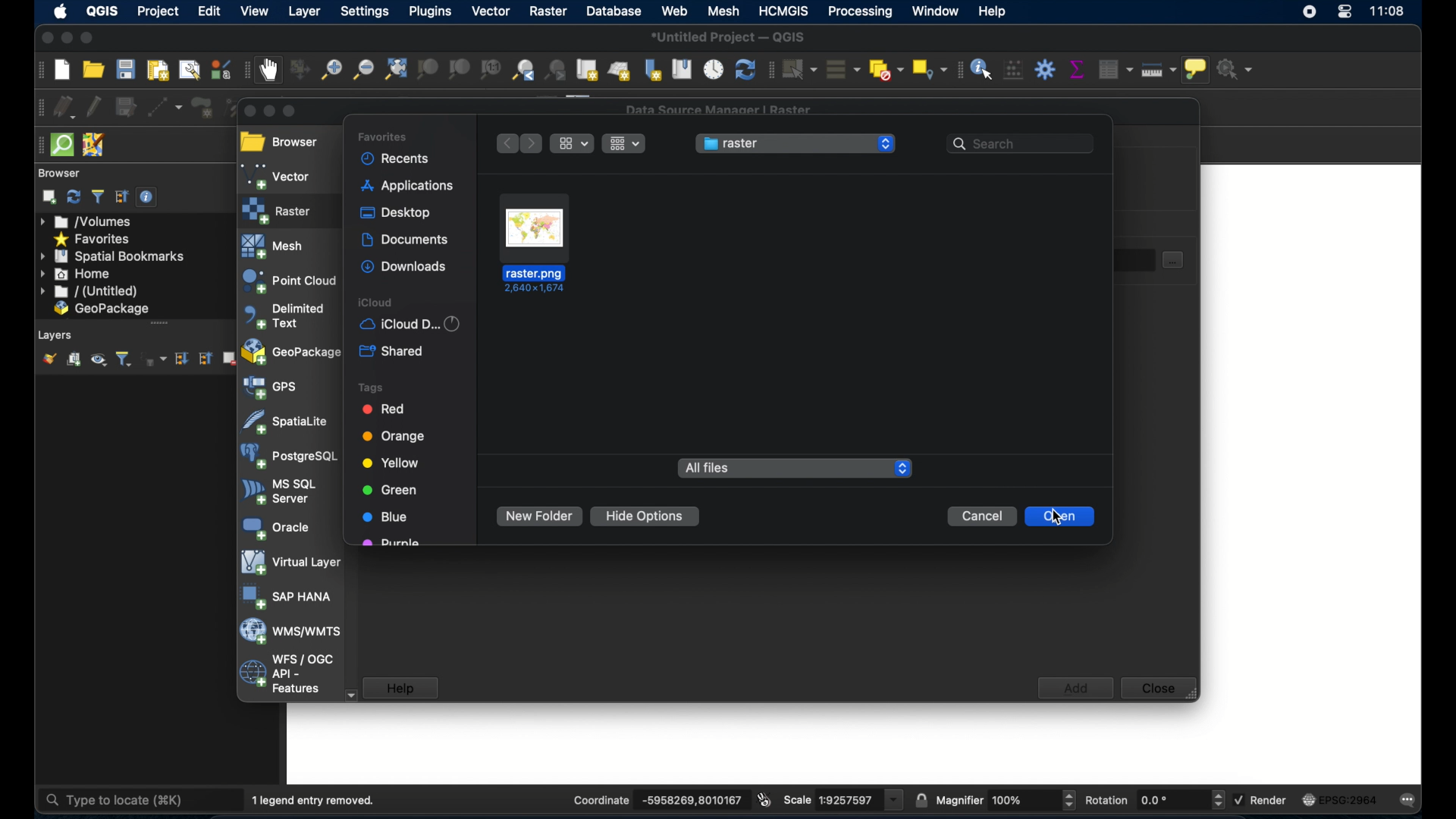  Describe the element at coordinates (1155, 800) in the screenshot. I see `rotations` at that location.